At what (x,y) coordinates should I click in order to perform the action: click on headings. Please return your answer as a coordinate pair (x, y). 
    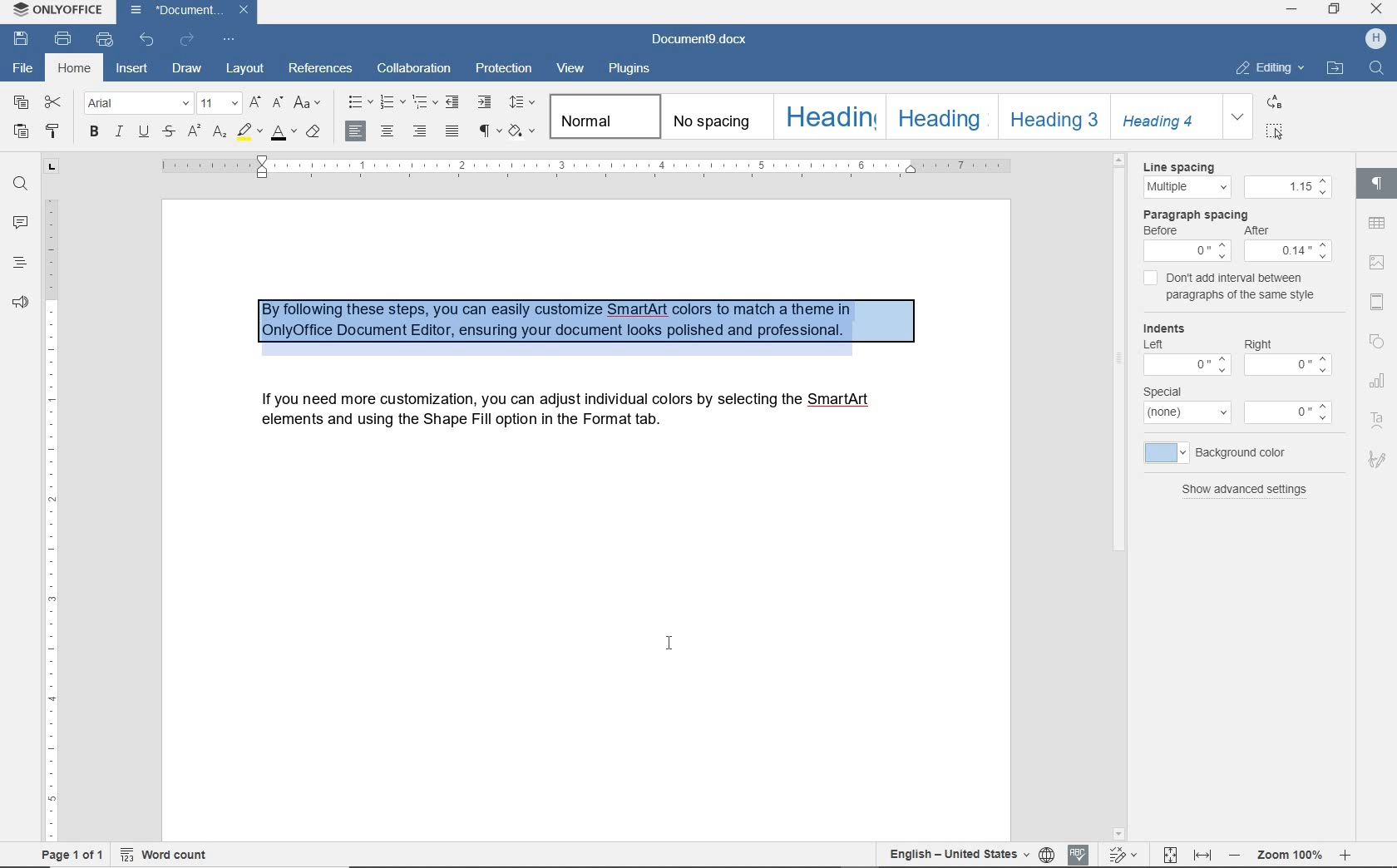
    Looking at the image, I should click on (20, 264).